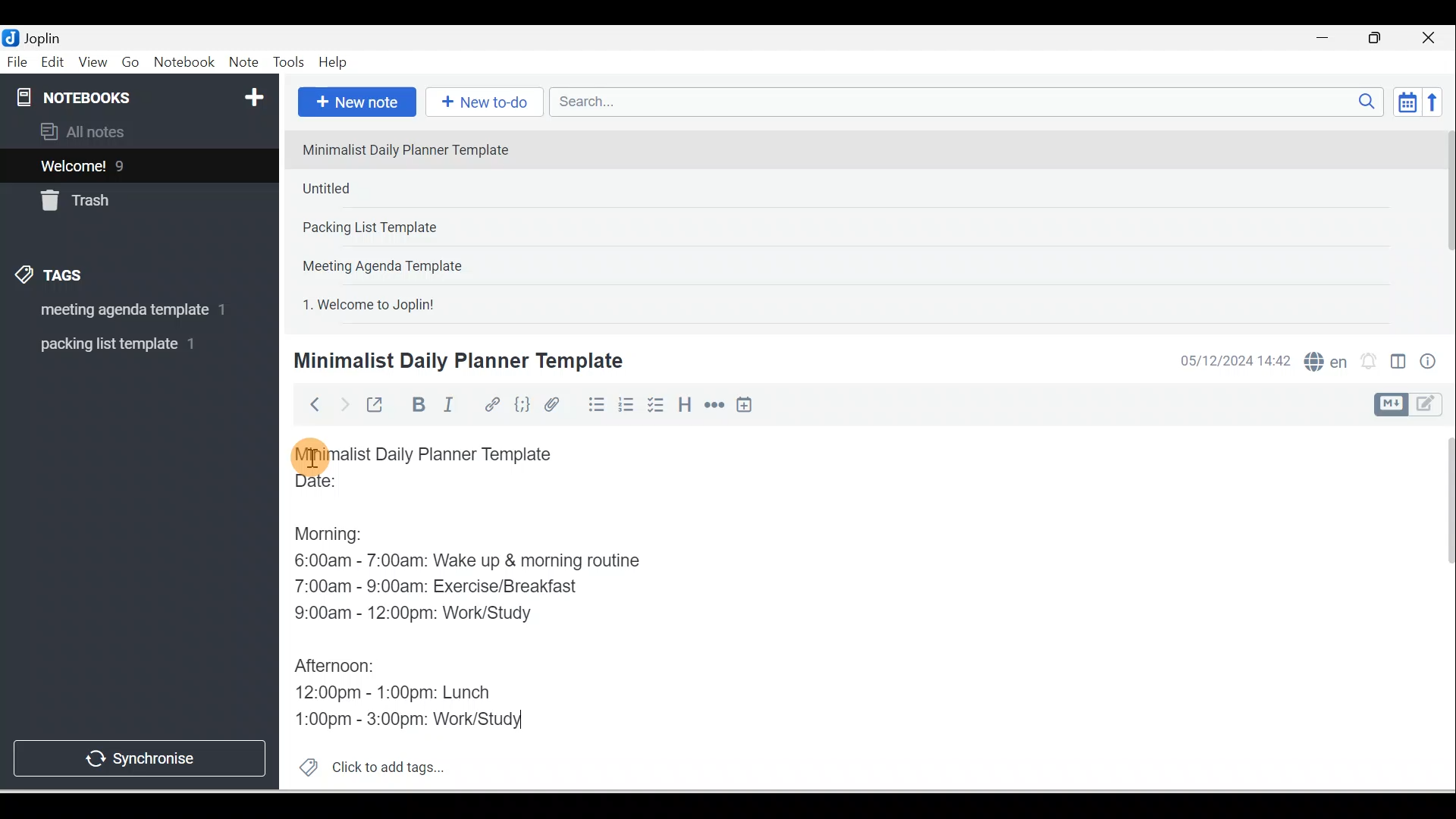 The image size is (1456, 819). Describe the element at coordinates (340, 530) in the screenshot. I see `Morning:` at that location.